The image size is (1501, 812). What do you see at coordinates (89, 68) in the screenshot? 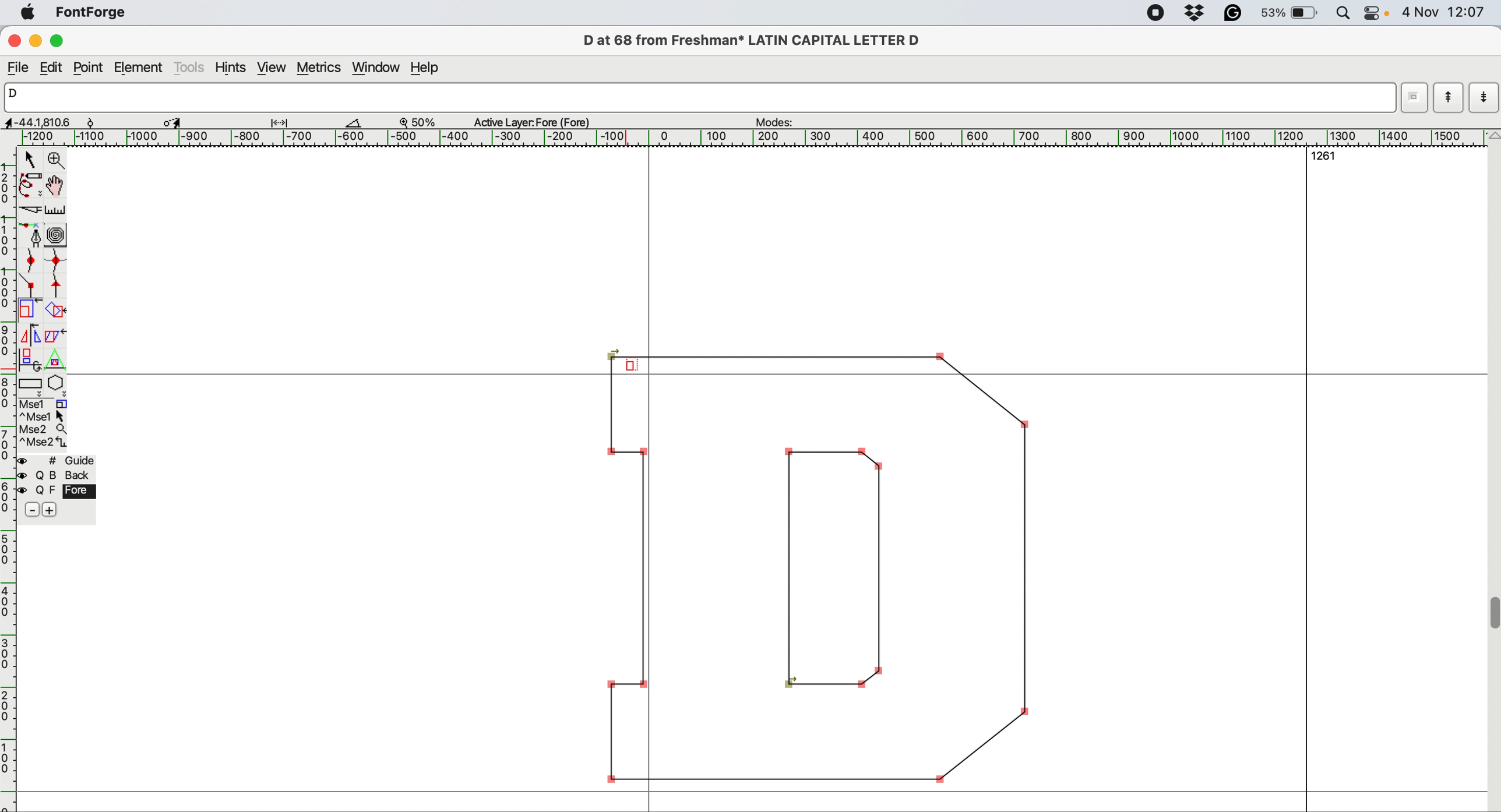
I see `point` at bounding box center [89, 68].